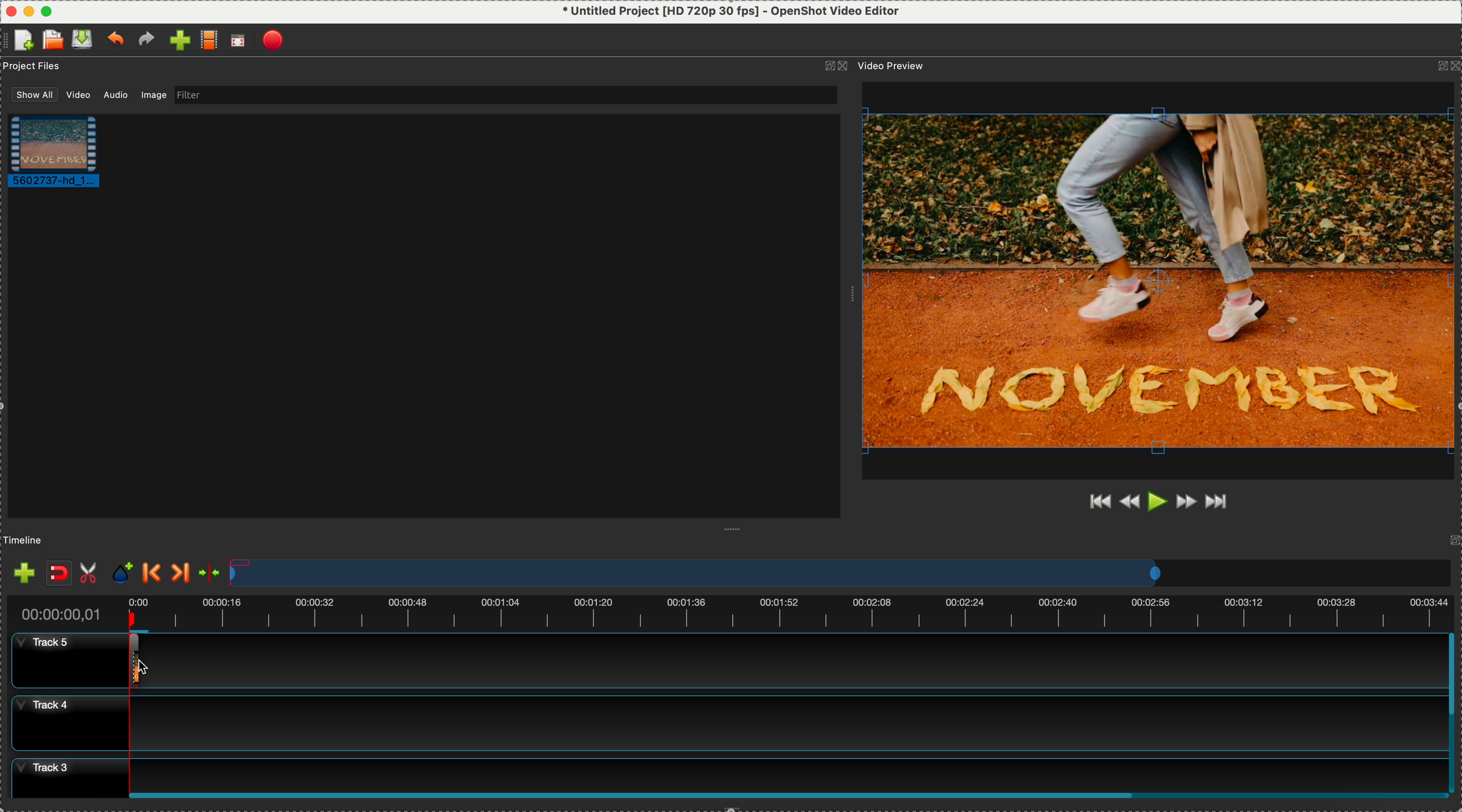 Image resolution: width=1462 pixels, height=812 pixels. I want to click on full screen, so click(240, 41).